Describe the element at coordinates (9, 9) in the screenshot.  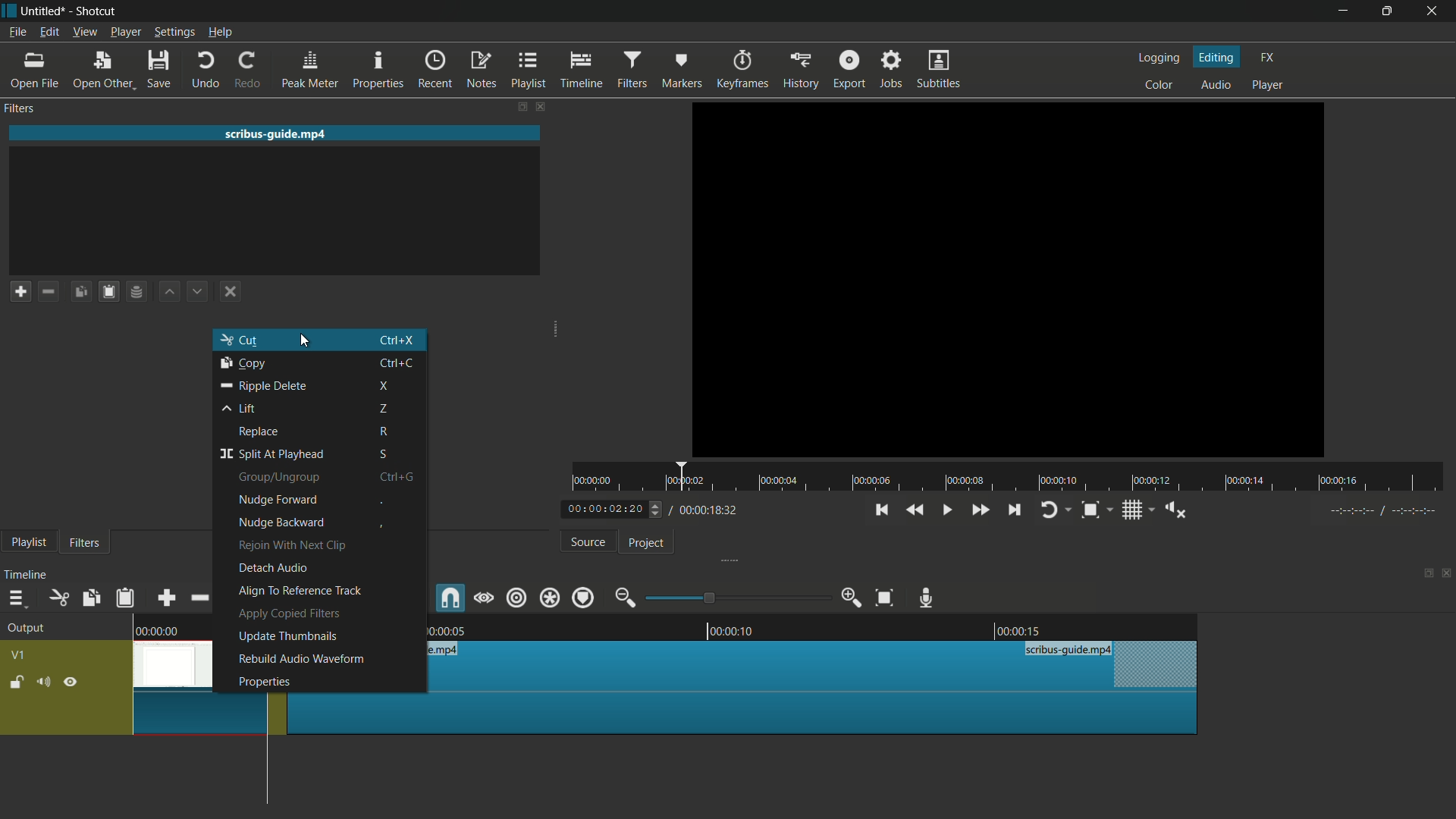
I see `app icon` at that location.